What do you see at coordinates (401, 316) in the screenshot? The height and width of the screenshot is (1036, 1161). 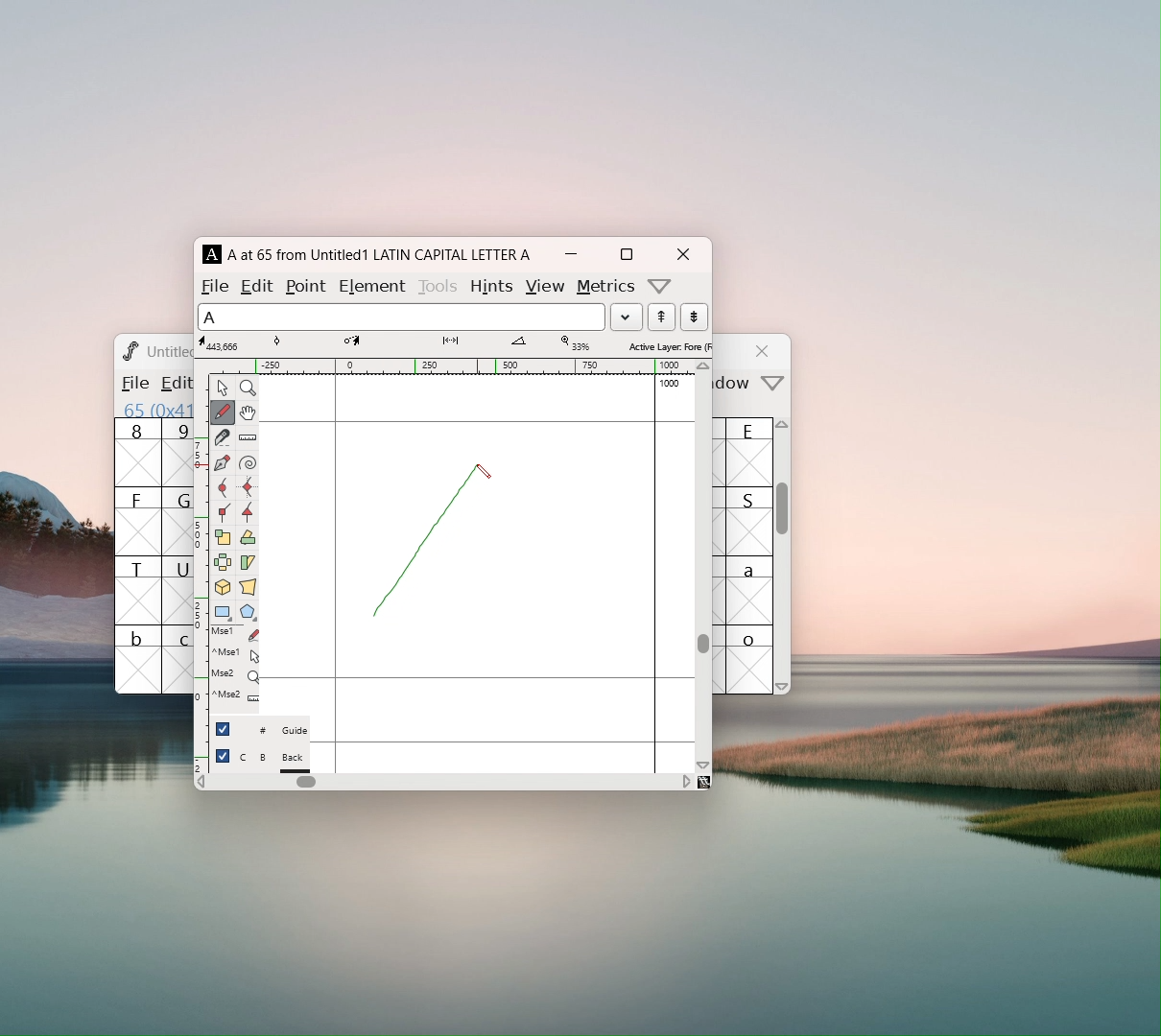 I see `selected letter` at bounding box center [401, 316].